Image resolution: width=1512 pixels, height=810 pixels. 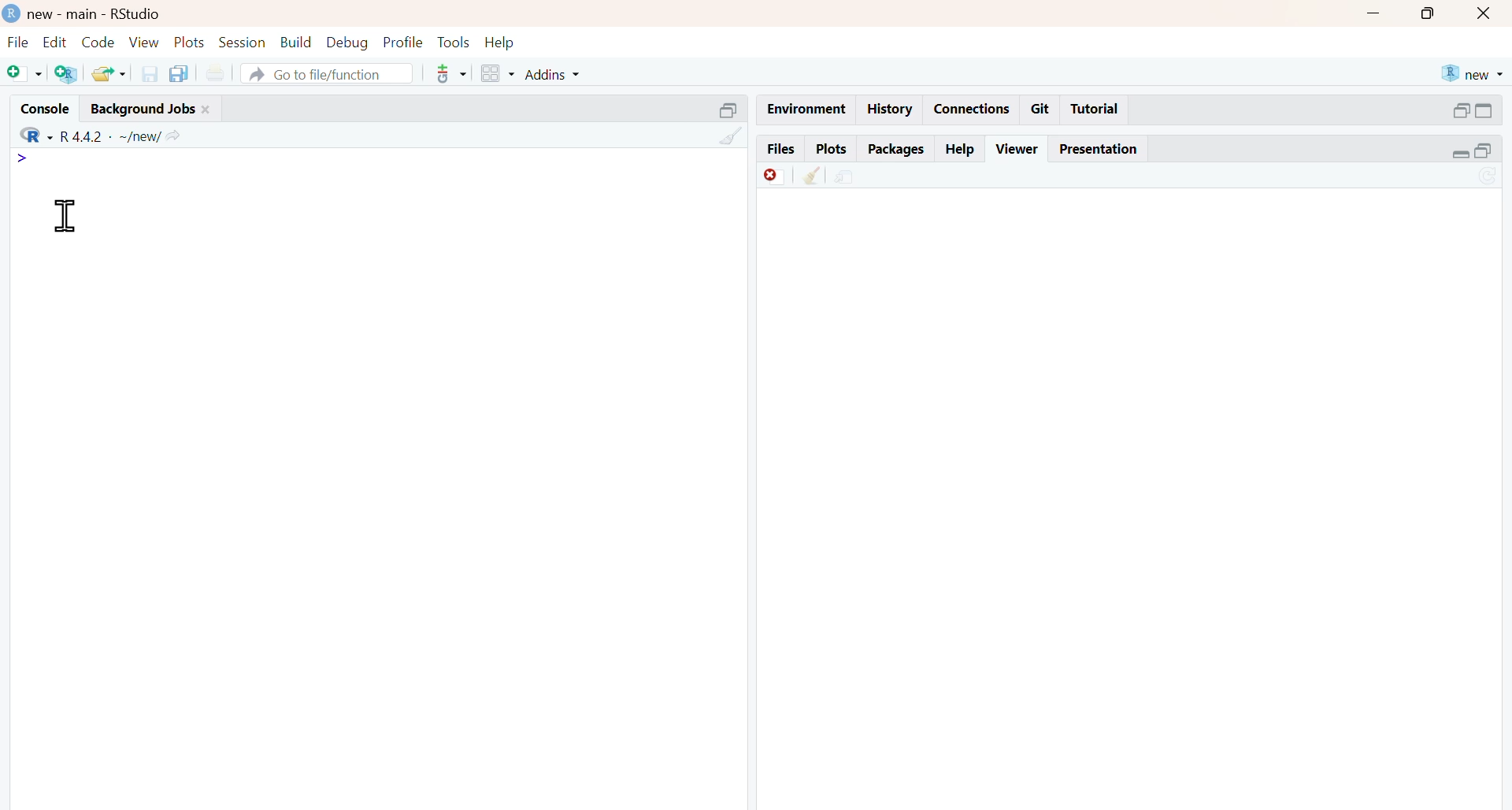 I want to click on history, so click(x=891, y=110).